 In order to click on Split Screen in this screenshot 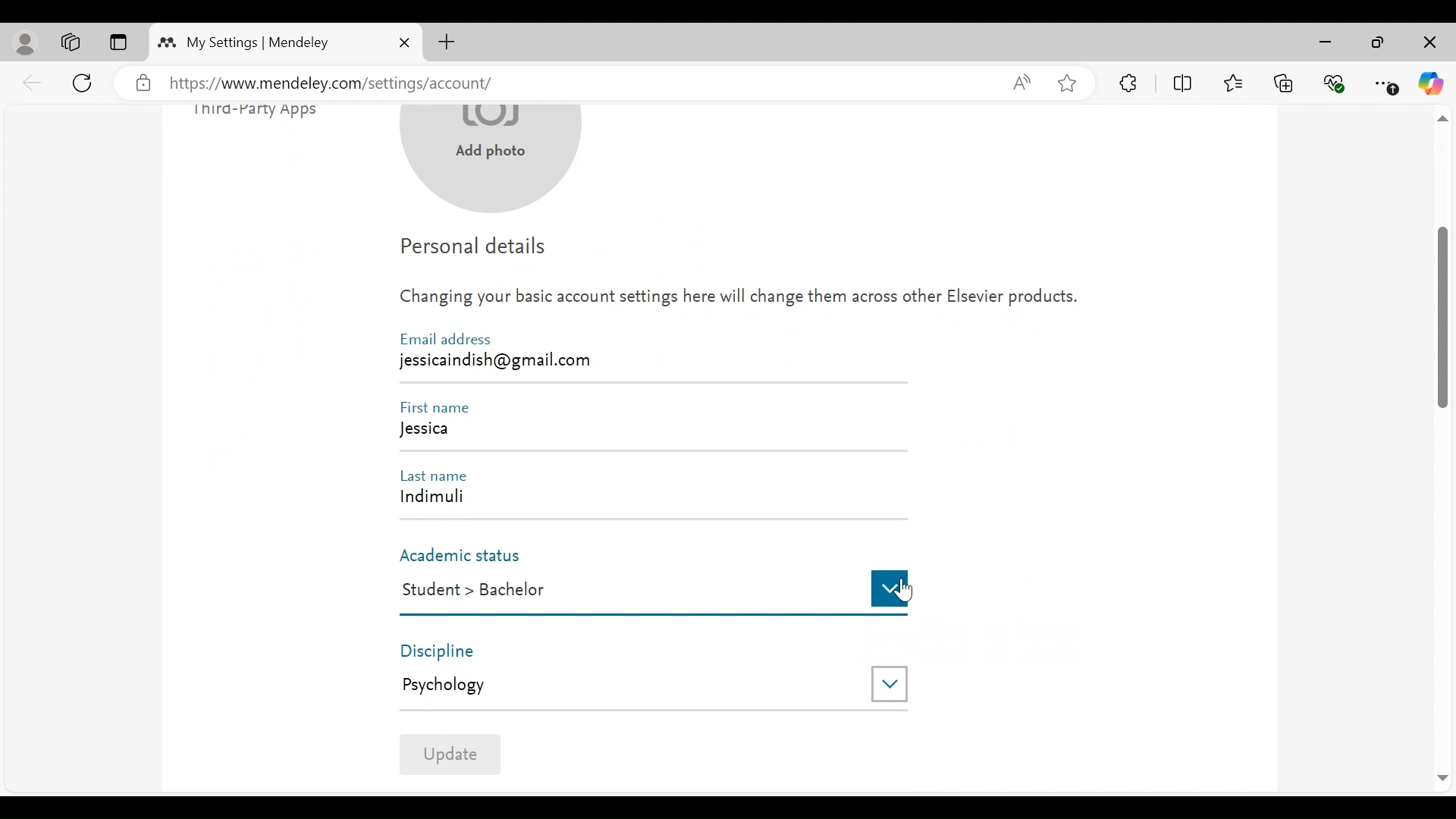, I will do `click(1185, 83)`.